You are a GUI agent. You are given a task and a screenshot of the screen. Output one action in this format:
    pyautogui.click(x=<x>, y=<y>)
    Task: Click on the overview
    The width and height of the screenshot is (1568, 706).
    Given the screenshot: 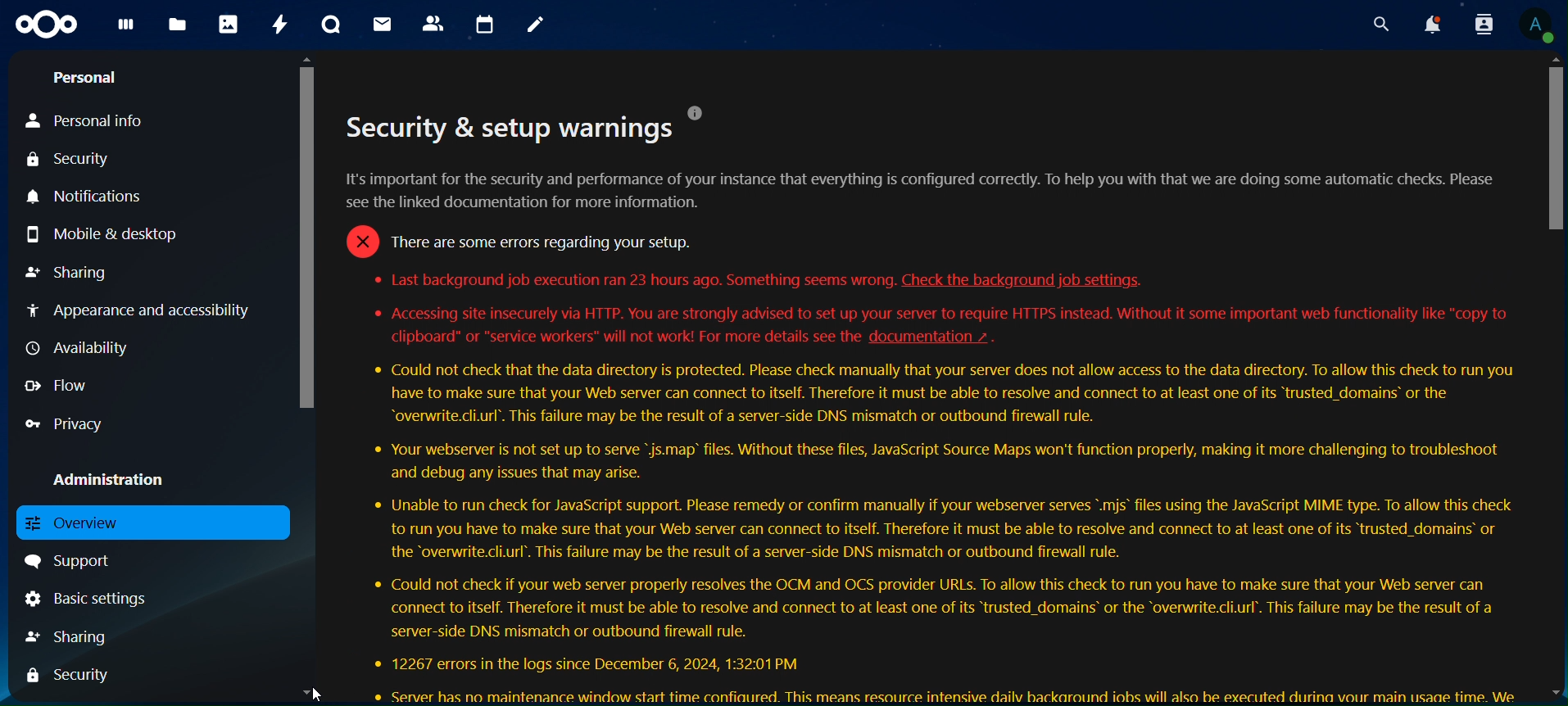 What is the action you would take?
    pyautogui.click(x=94, y=522)
    